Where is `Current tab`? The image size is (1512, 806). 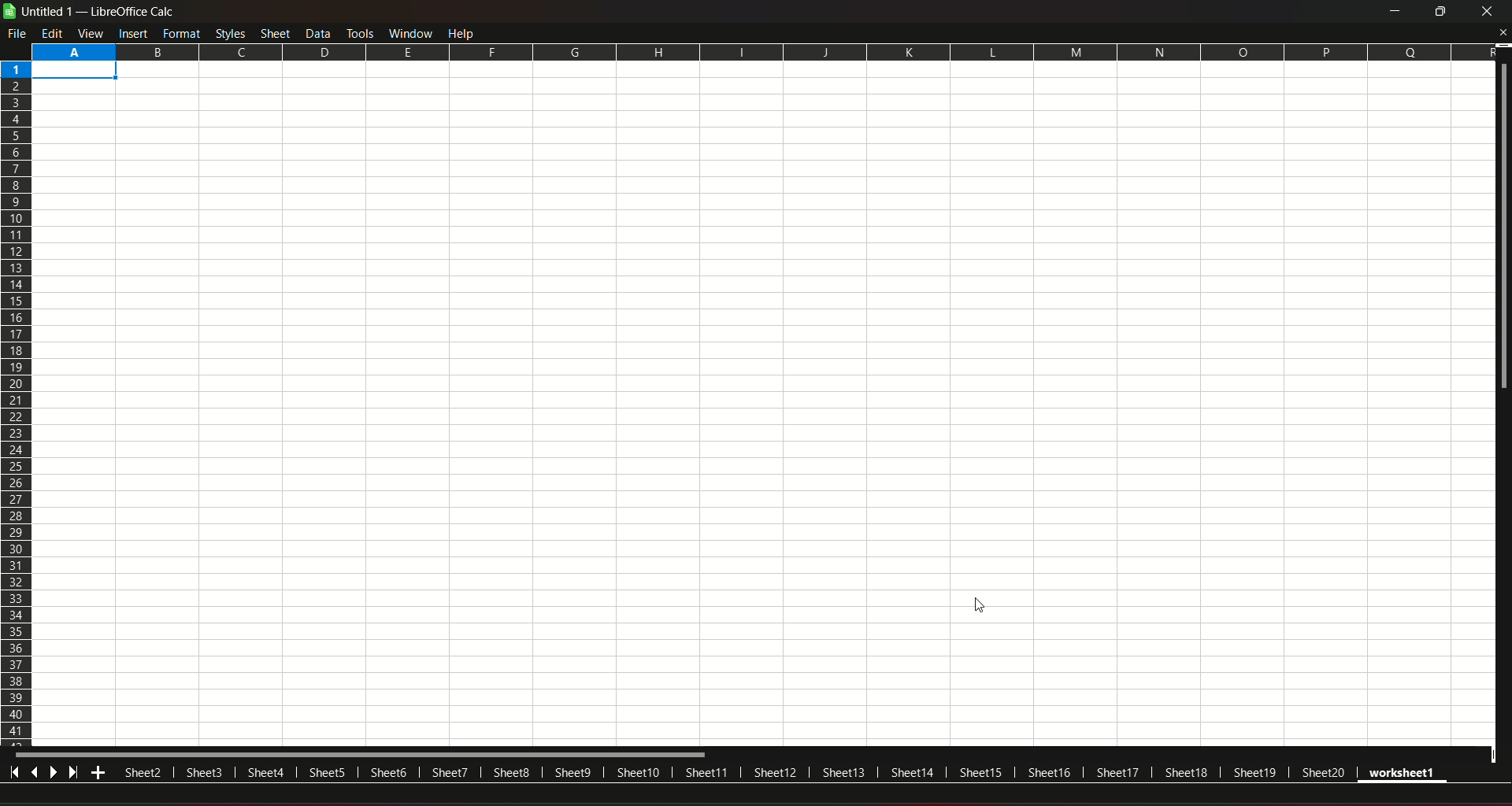
Current tab is located at coordinates (1412, 774).